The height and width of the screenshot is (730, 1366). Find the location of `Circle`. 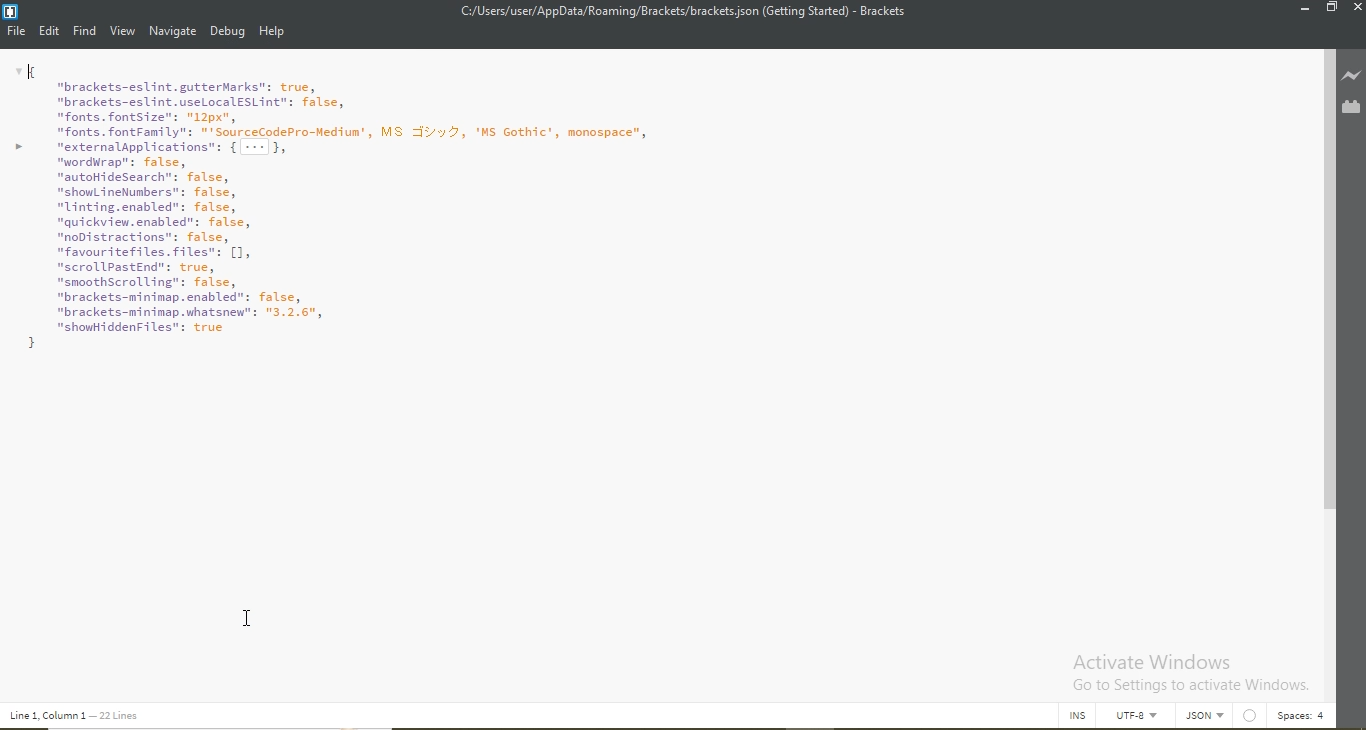

Circle is located at coordinates (1252, 716).